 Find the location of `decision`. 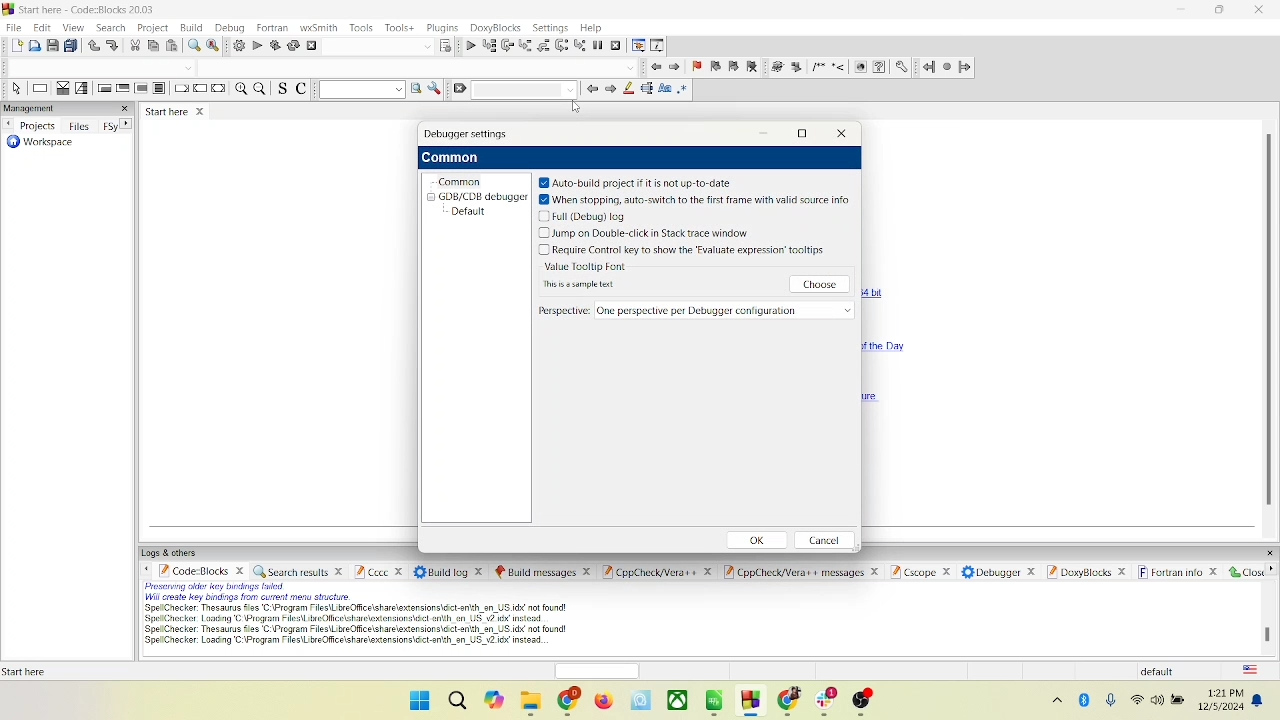

decision is located at coordinates (65, 90).